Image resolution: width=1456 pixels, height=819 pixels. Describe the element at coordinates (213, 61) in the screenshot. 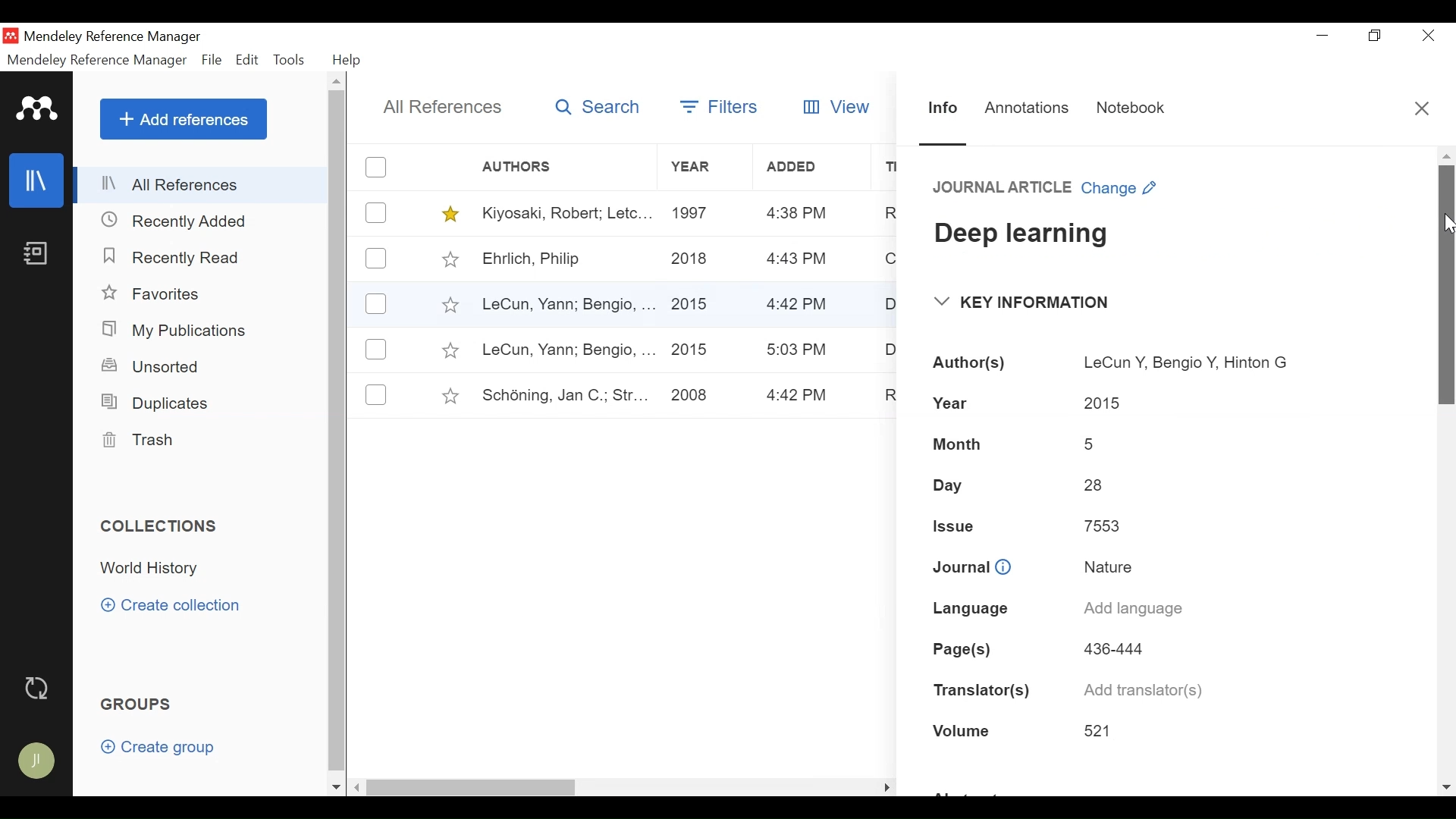

I see `File` at that location.